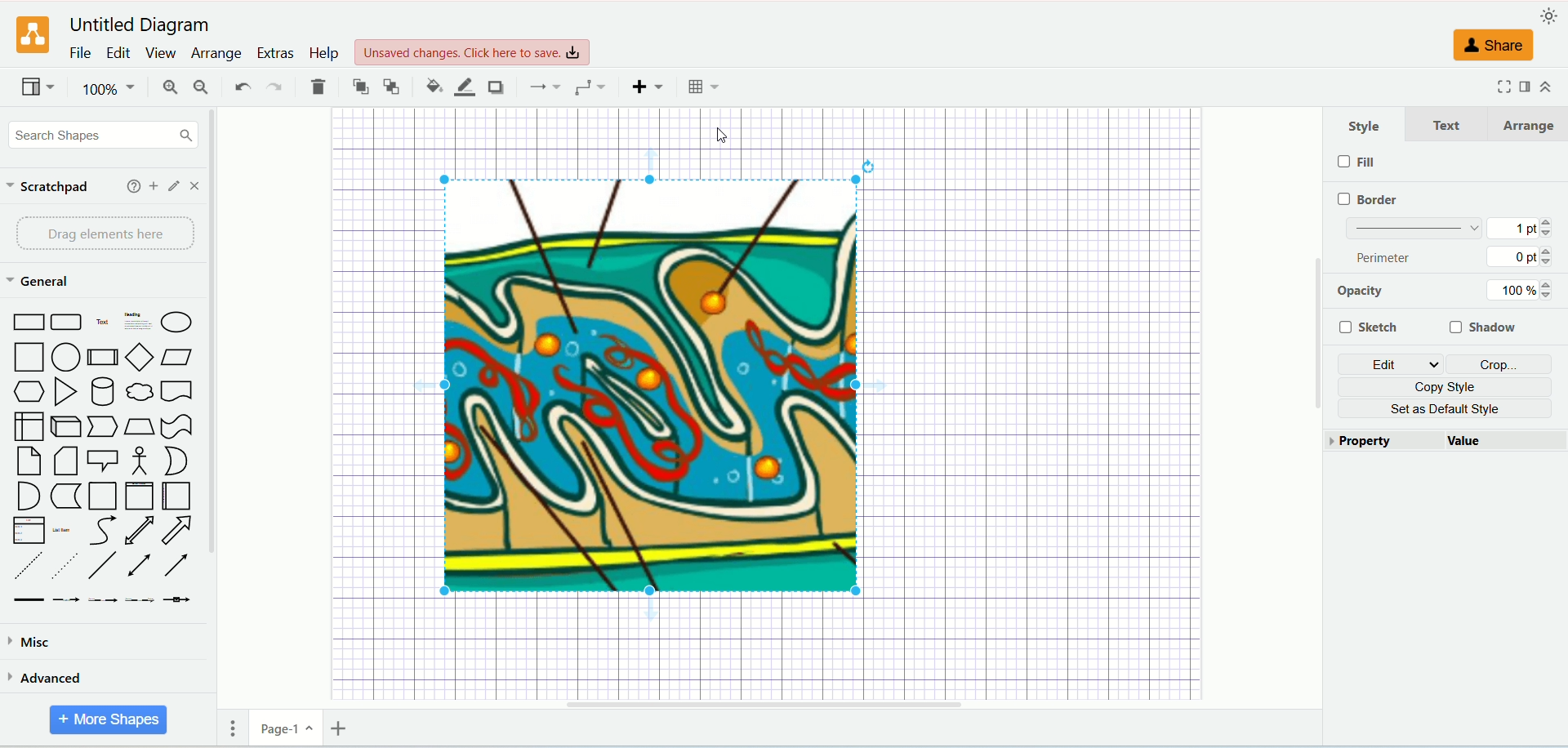 The width and height of the screenshot is (1568, 748). What do you see at coordinates (79, 52) in the screenshot?
I see `file` at bounding box center [79, 52].